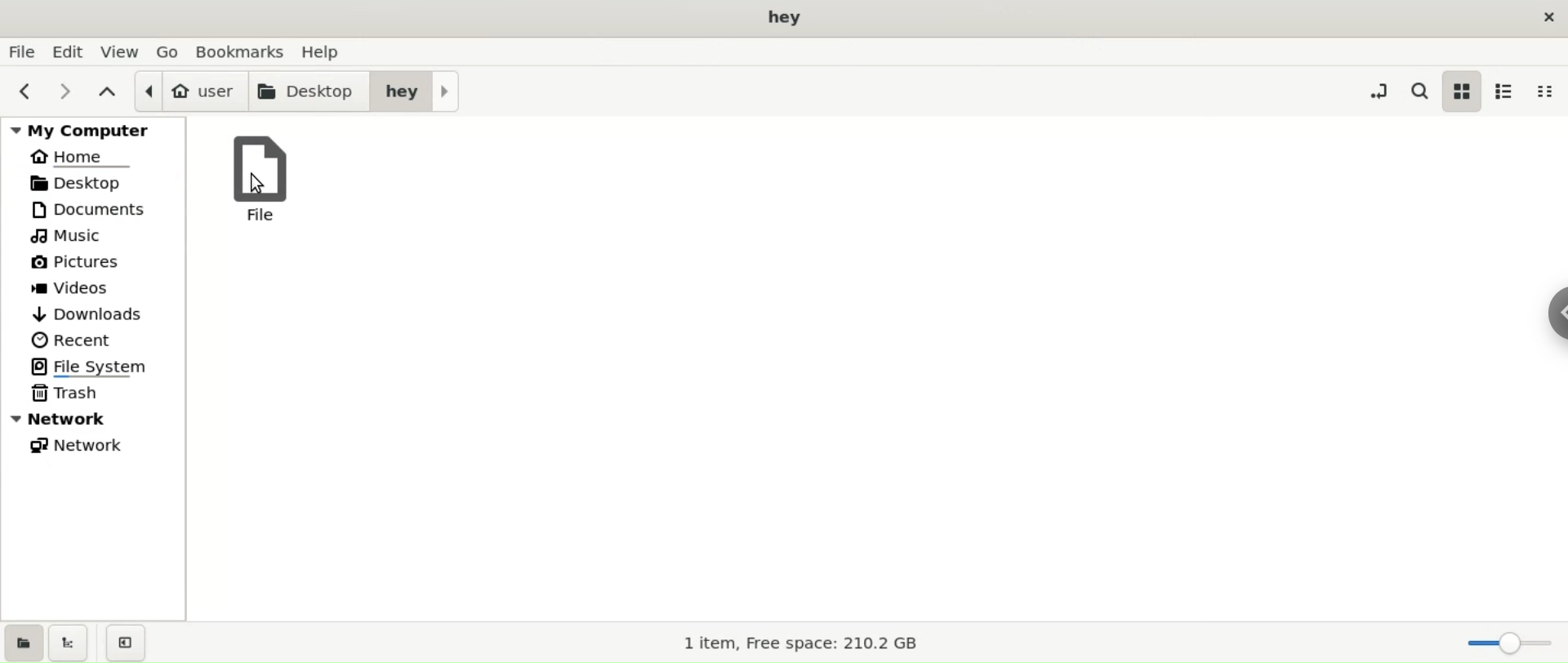 The image size is (1568, 663). I want to click on compact view, so click(1549, 91).